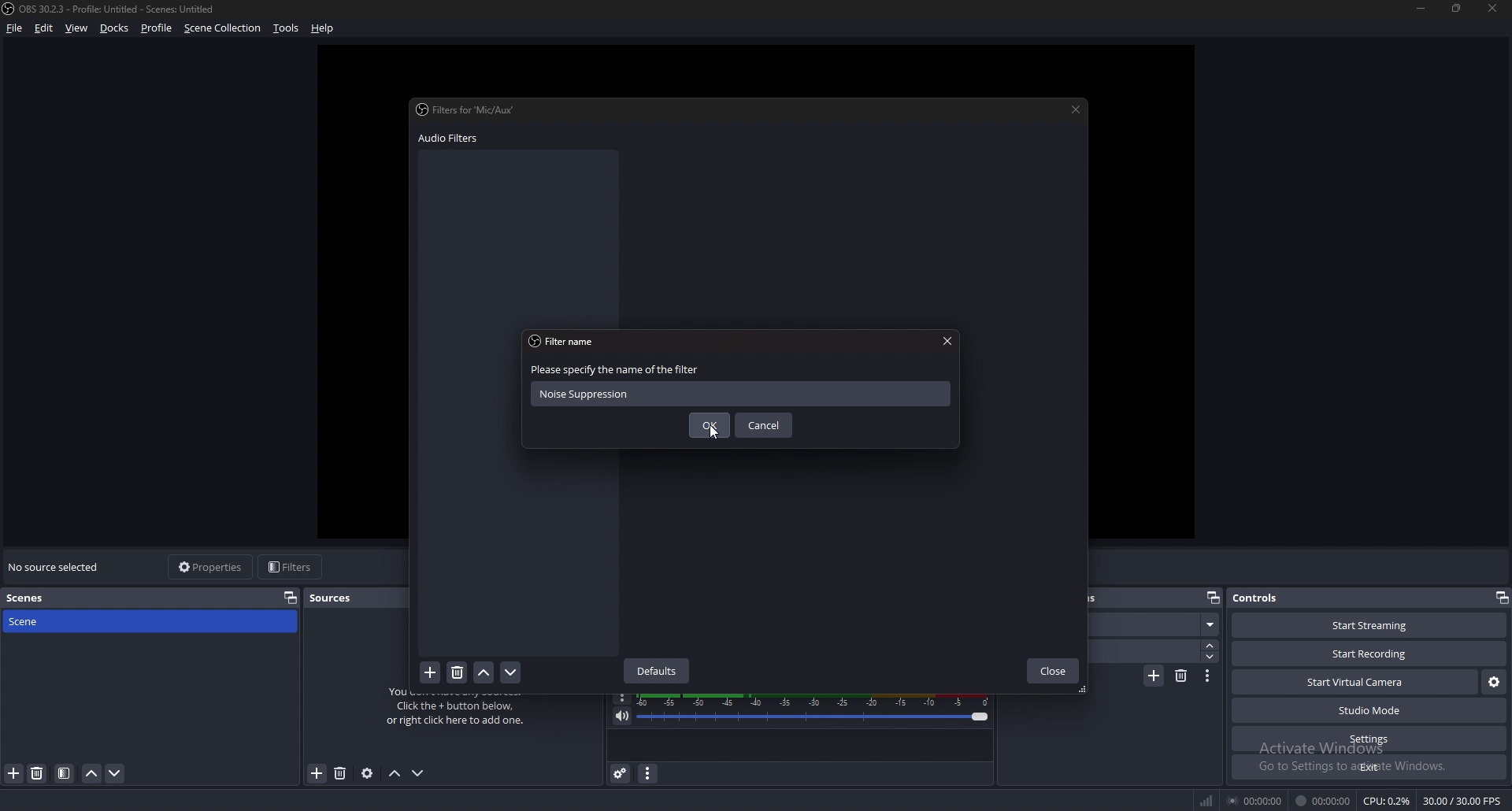  What do you see at coordinates (44, 28) in the screenshot?
I see `edit` at bounding box center [44, 28].